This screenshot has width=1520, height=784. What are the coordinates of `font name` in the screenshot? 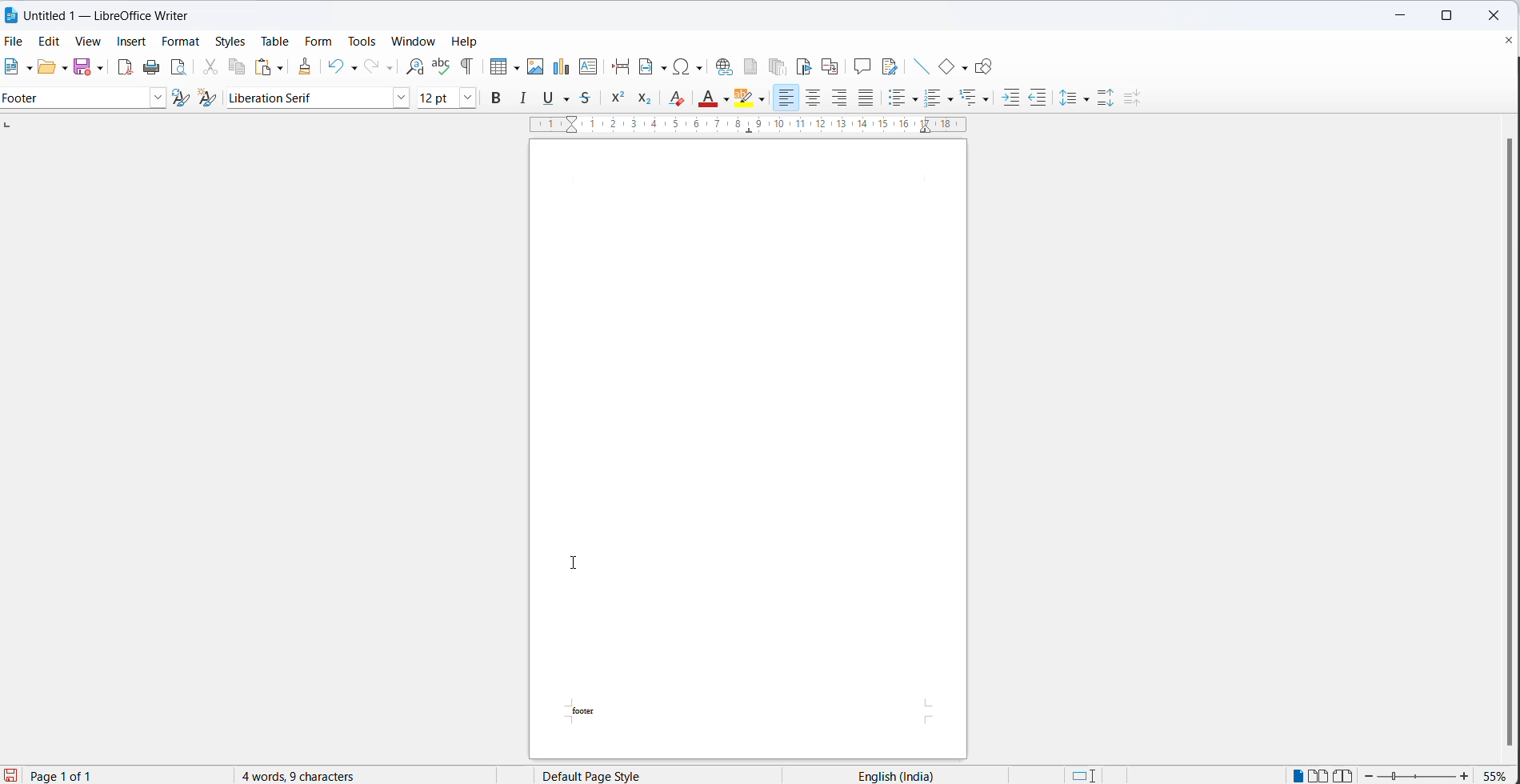 It's located at (308, 98).